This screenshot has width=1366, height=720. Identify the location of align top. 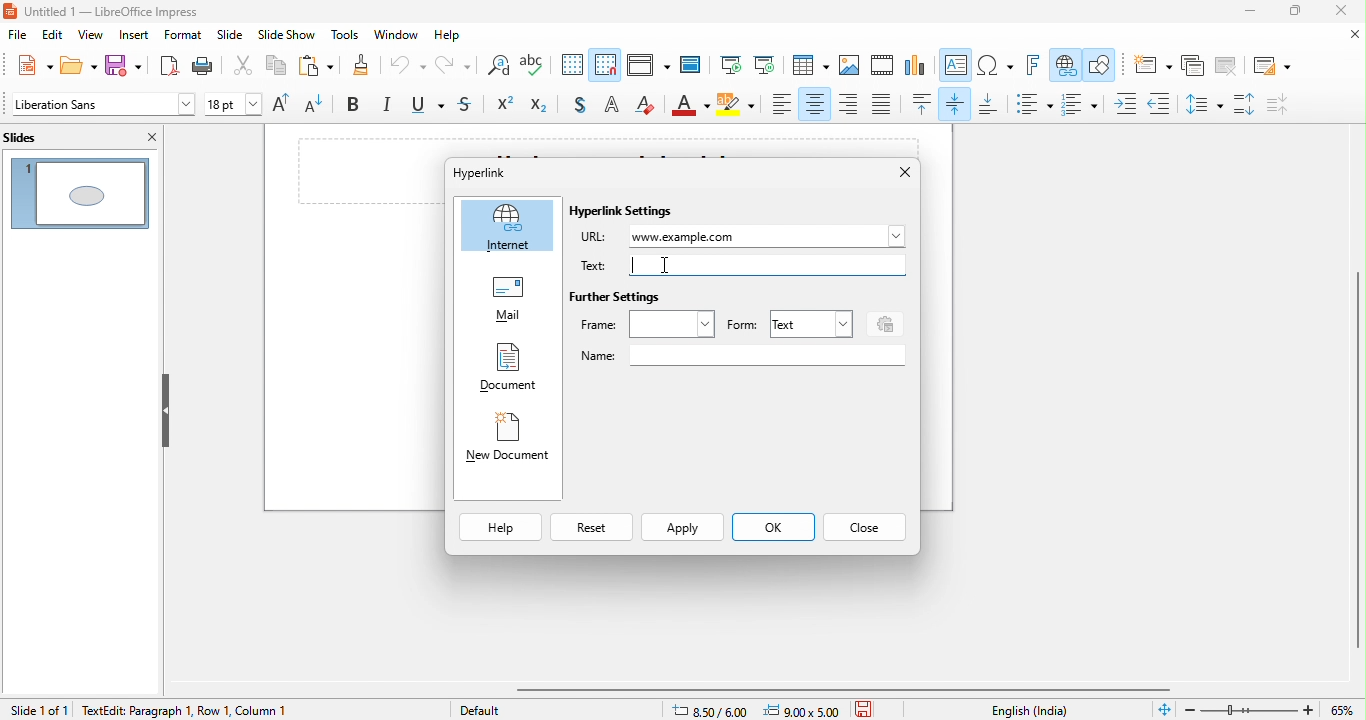
(923, 104).